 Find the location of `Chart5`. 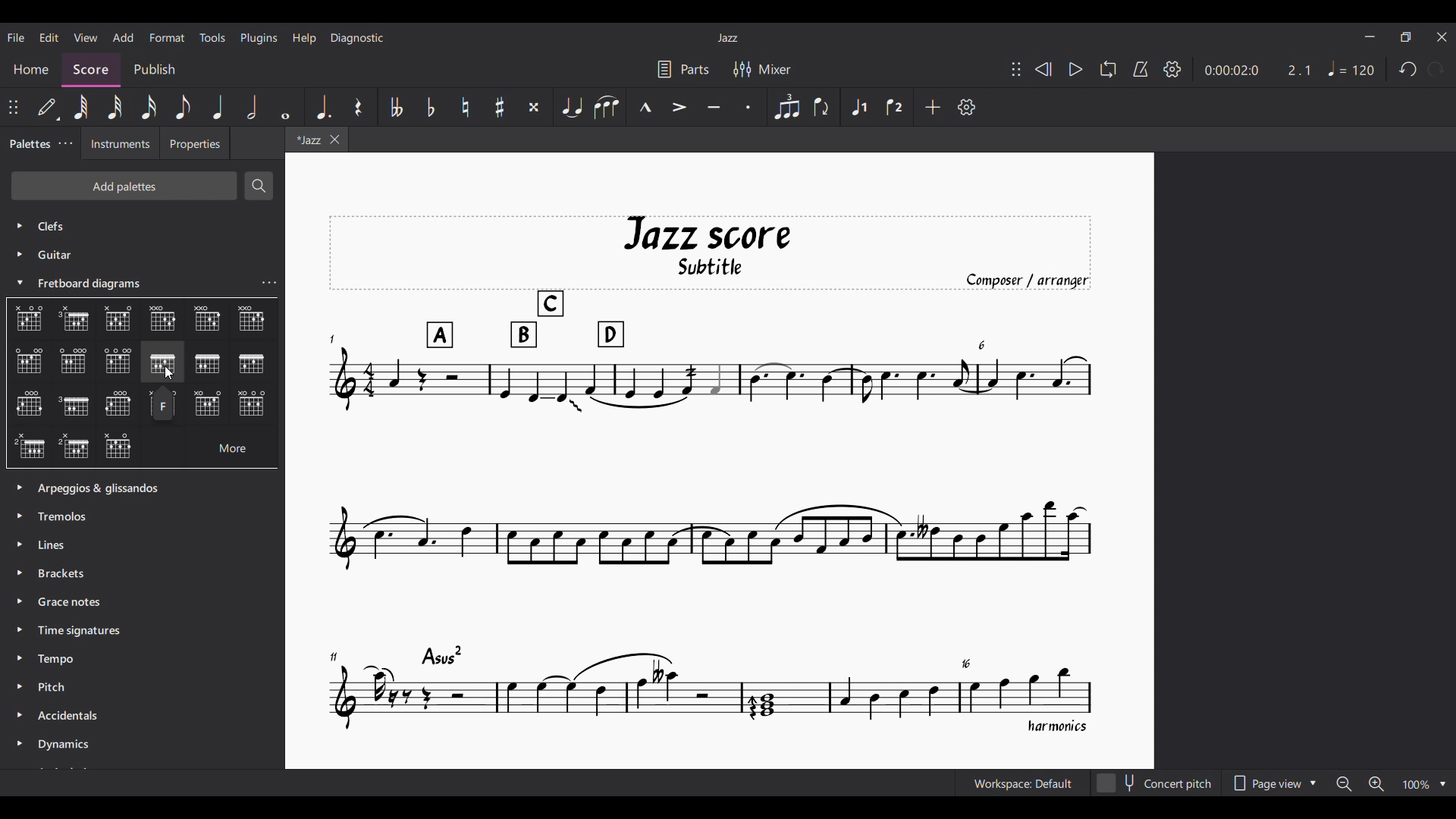

Chart5 is located at coordinates (208, 322).